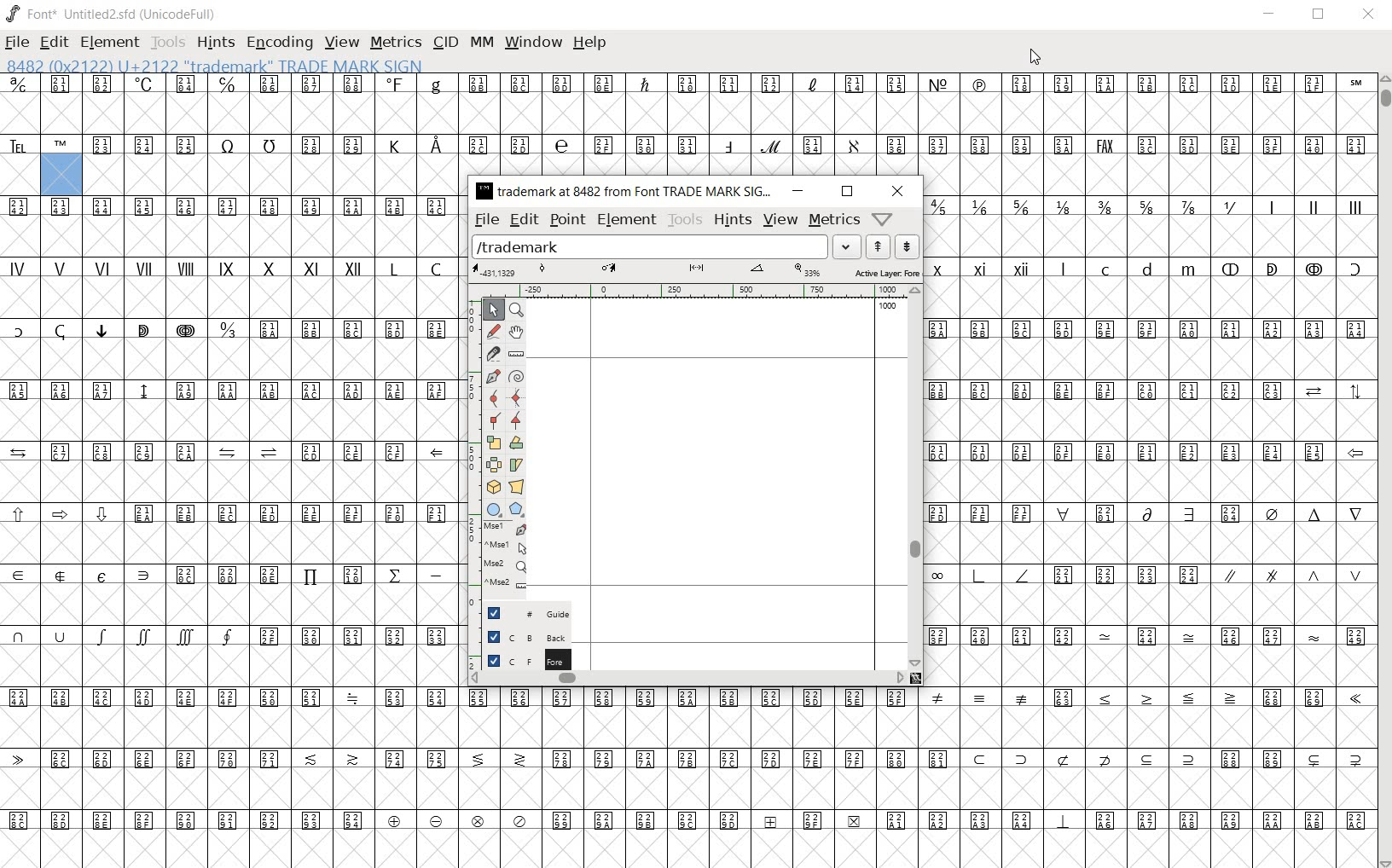 The image size is (1392, 868). I want to click on draw a freehand curve, so click(493, 331).